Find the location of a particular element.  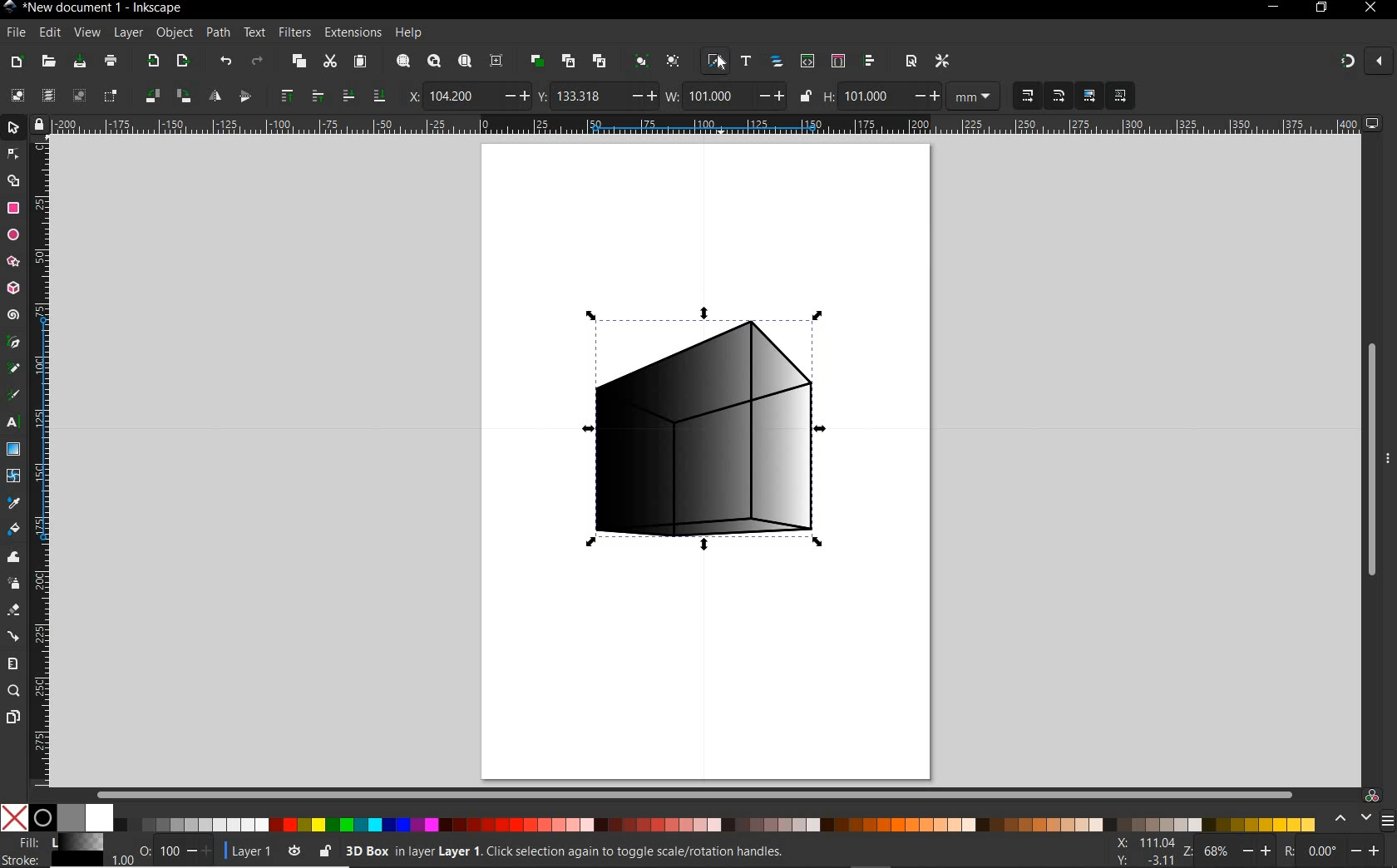

NODE TOOL is located at coordinates (14, 152).